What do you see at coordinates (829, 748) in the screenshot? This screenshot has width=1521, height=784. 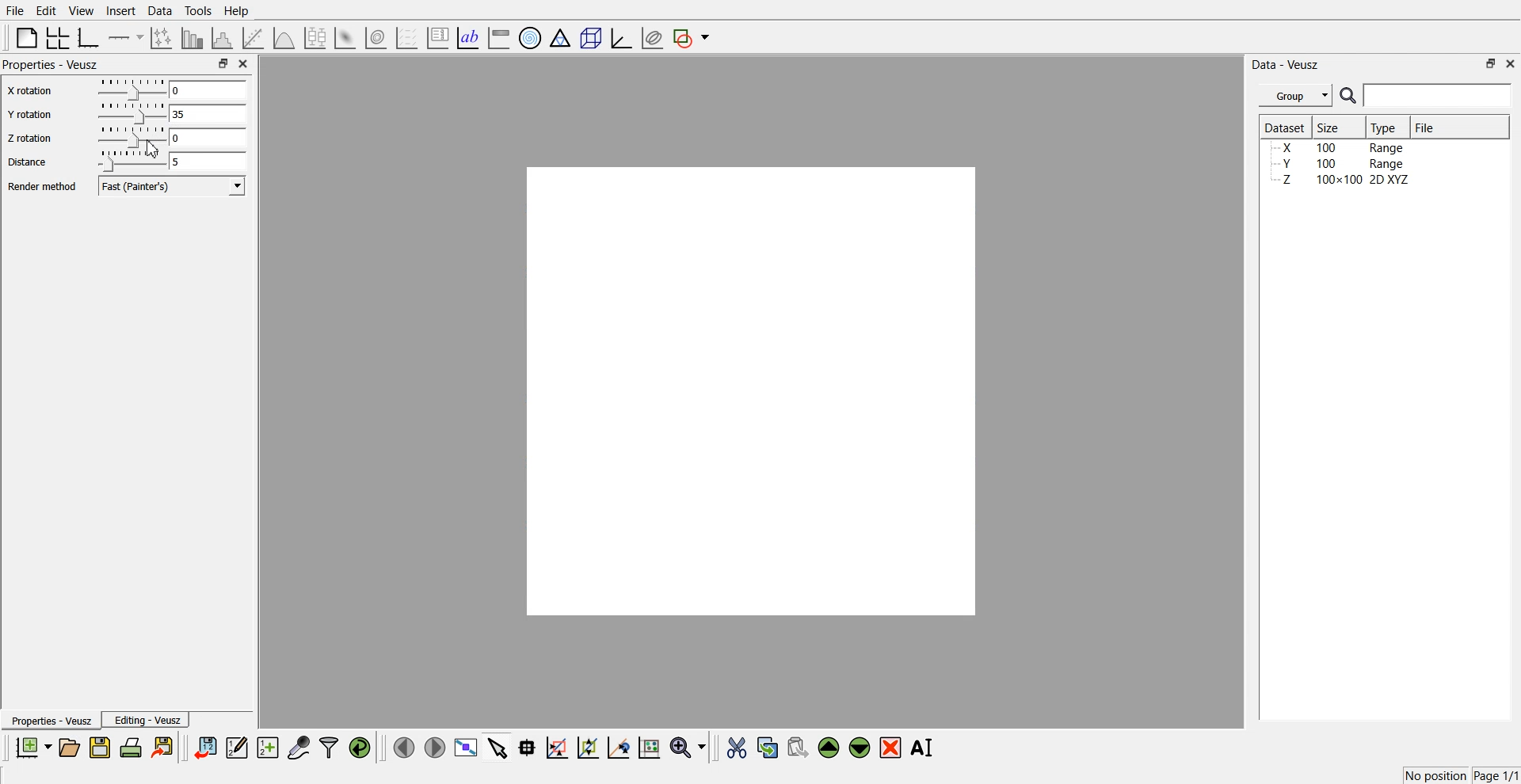 I see `Move up the selected widget` at bounding box center [829, 748].